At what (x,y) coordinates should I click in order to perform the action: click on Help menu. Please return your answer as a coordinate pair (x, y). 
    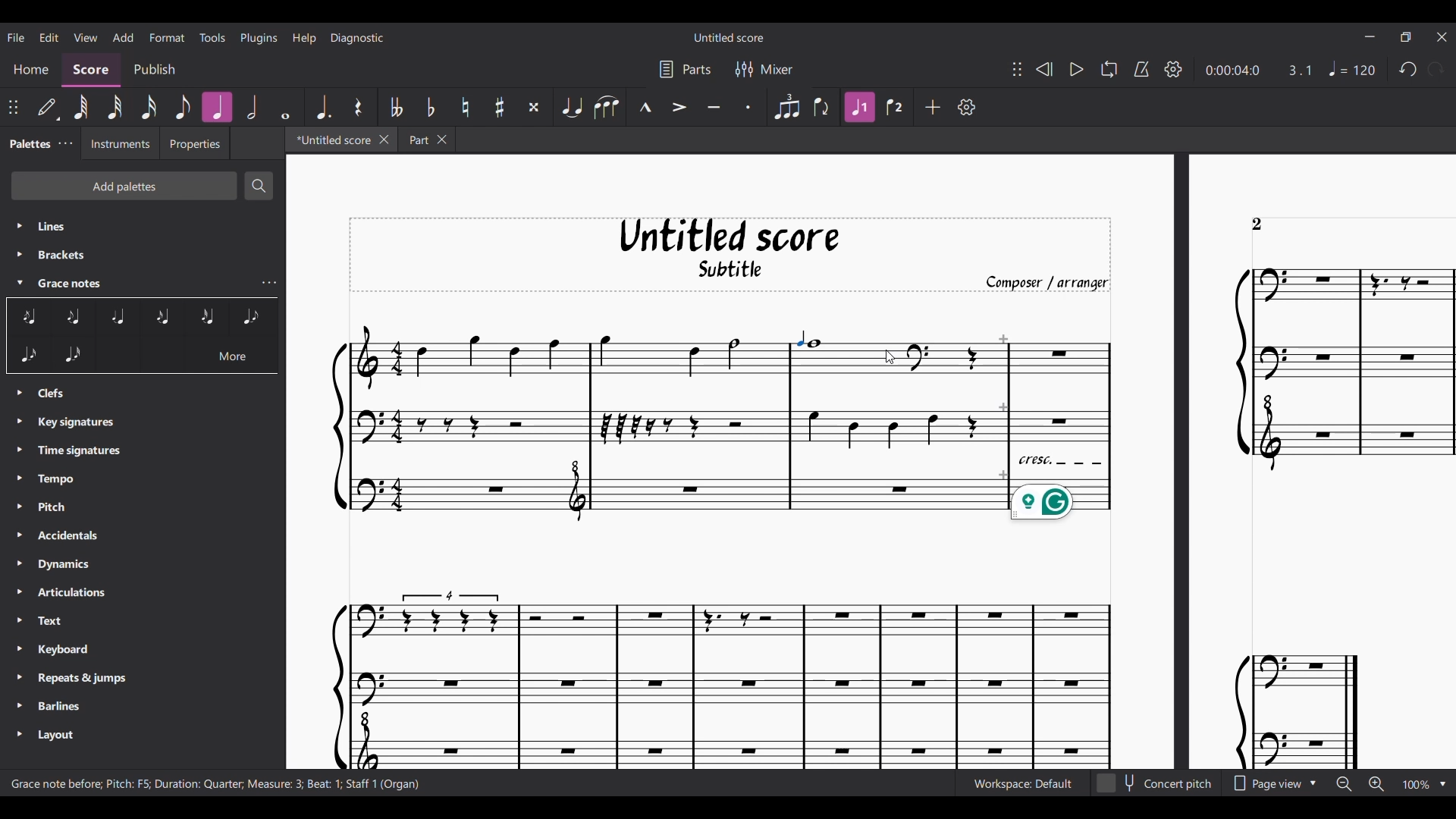
    Looking at the image, I should click on (305, 38).